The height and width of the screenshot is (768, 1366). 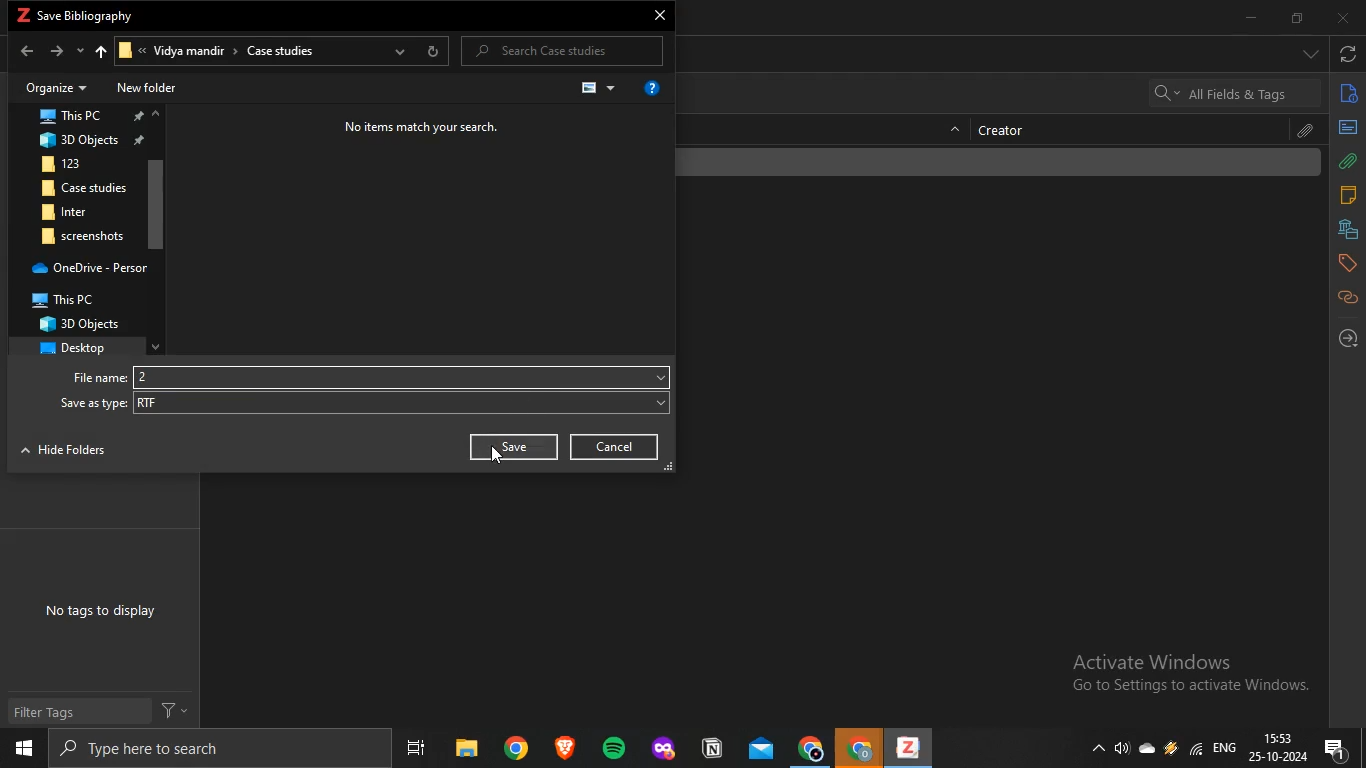 I want to click on upto, so click(x=101, y=53).